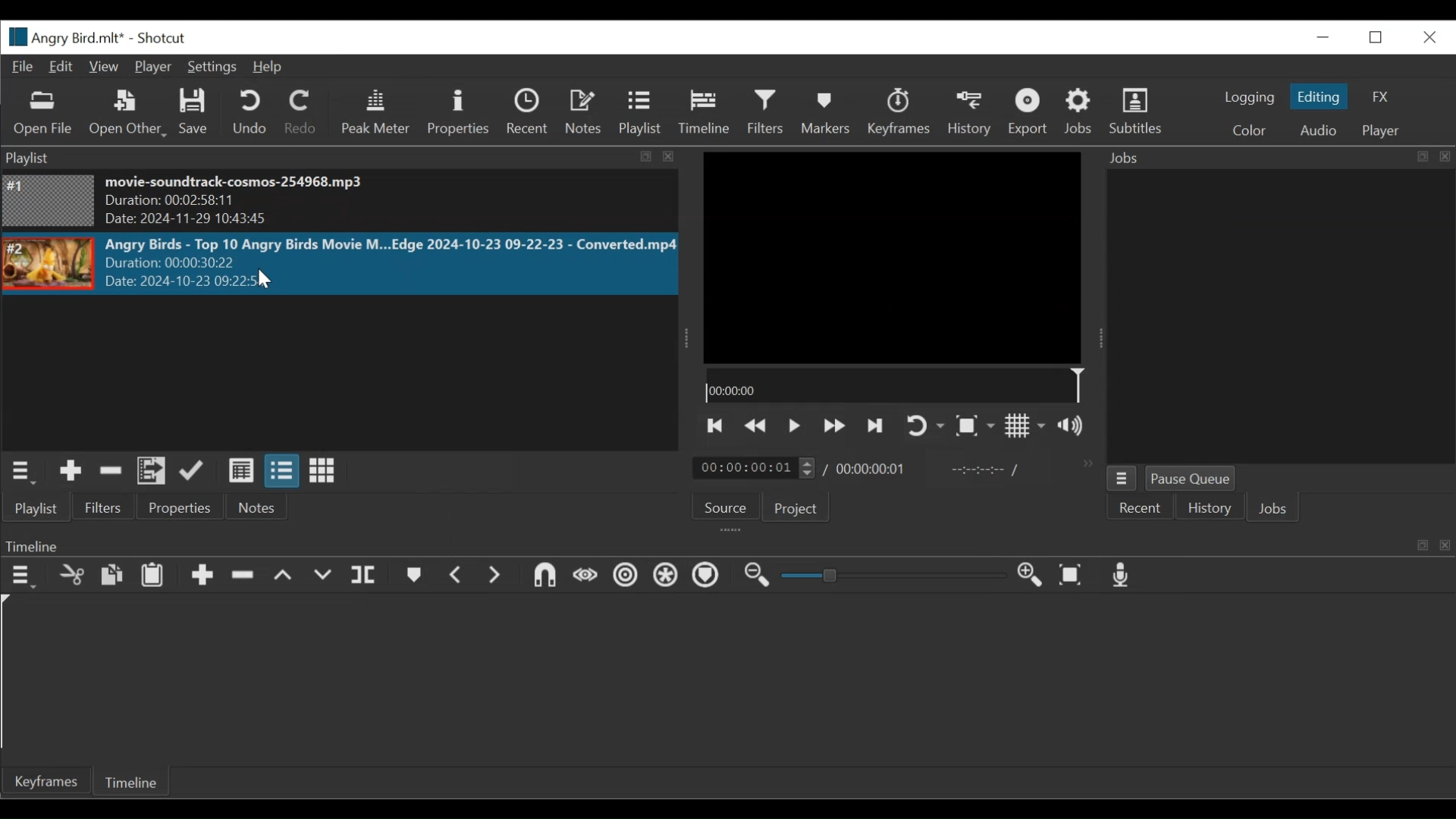 This screenshot has width=1456, height=819. Describe the element at coordinates (583, 576) in the screenshot. I see `Scrub while dragging` at that location.